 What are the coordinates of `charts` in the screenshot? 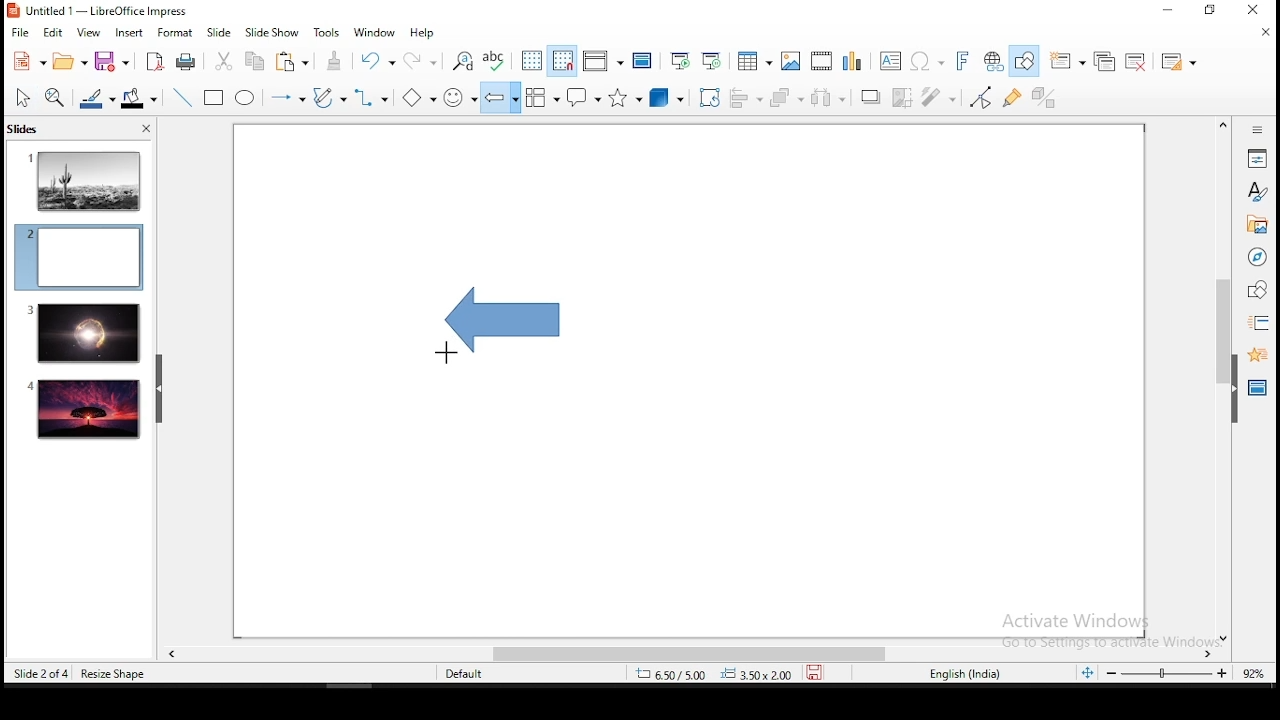 It's located at (852, 61).